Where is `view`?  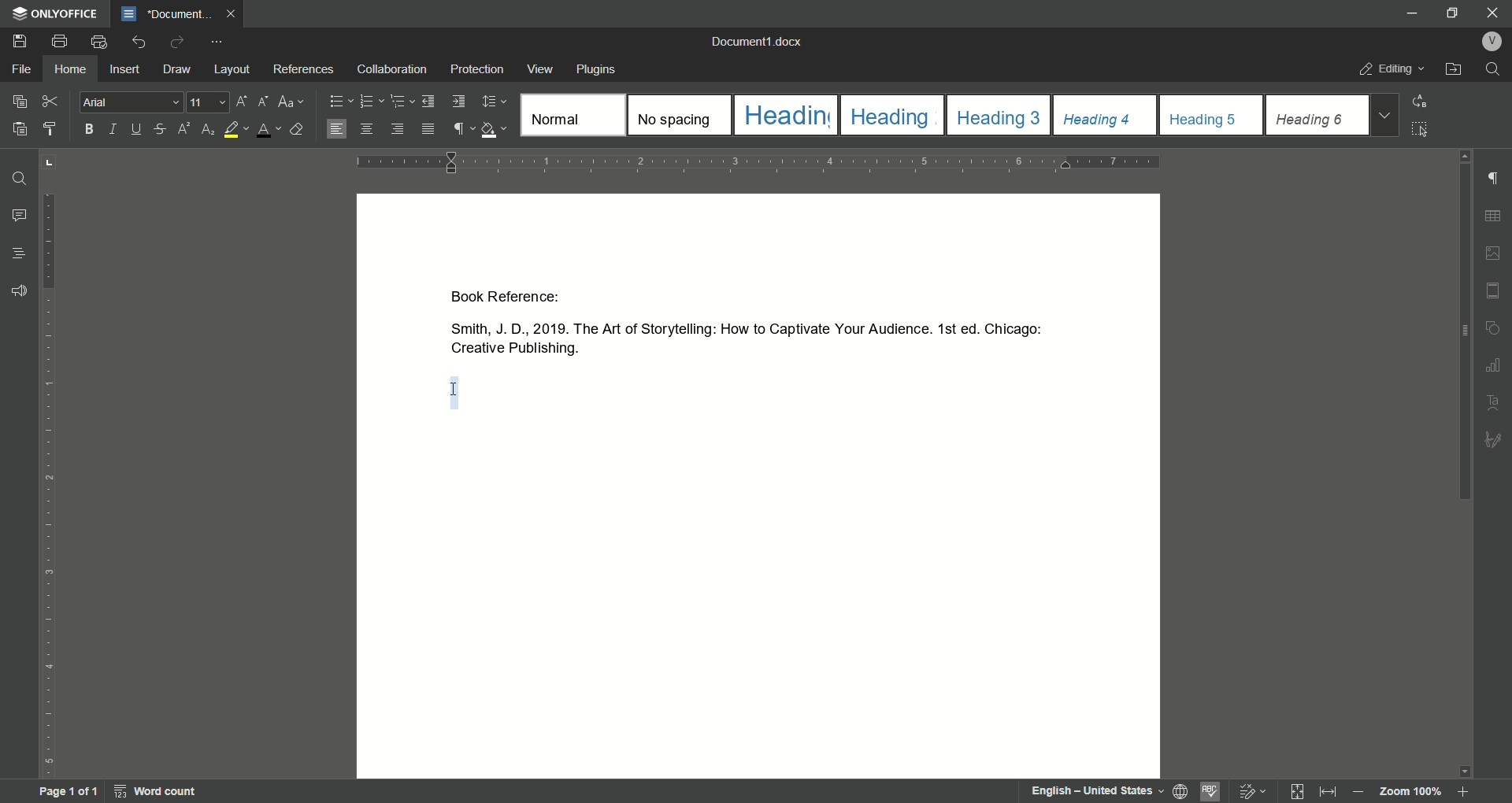
view is located at coordinates (541, 69).